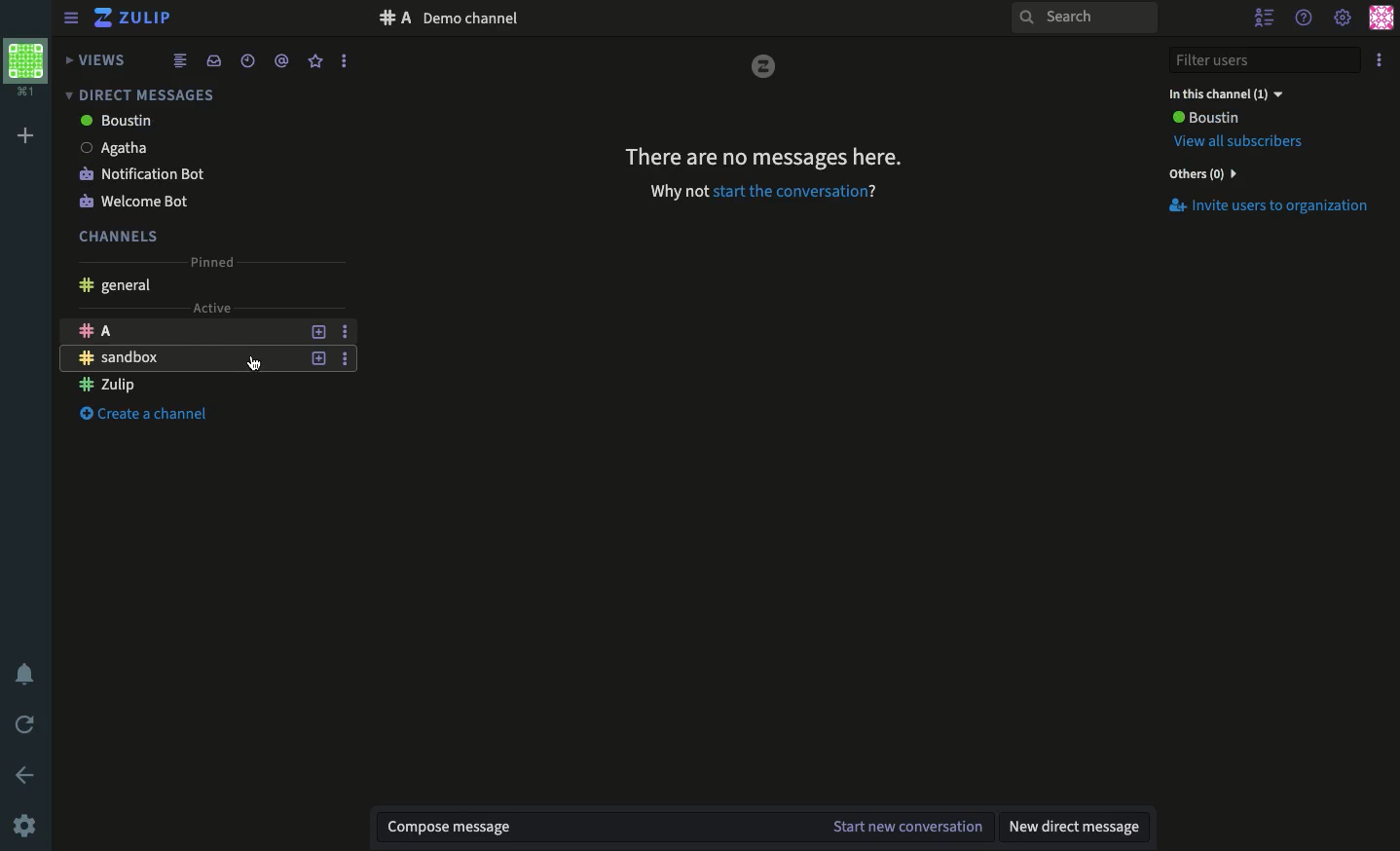 The height and width of the screenshot is (851, 1400). What do you see at coordinates (1083, 18) in the screenshot?
I see `Search` at bounding box center [1083, 18].